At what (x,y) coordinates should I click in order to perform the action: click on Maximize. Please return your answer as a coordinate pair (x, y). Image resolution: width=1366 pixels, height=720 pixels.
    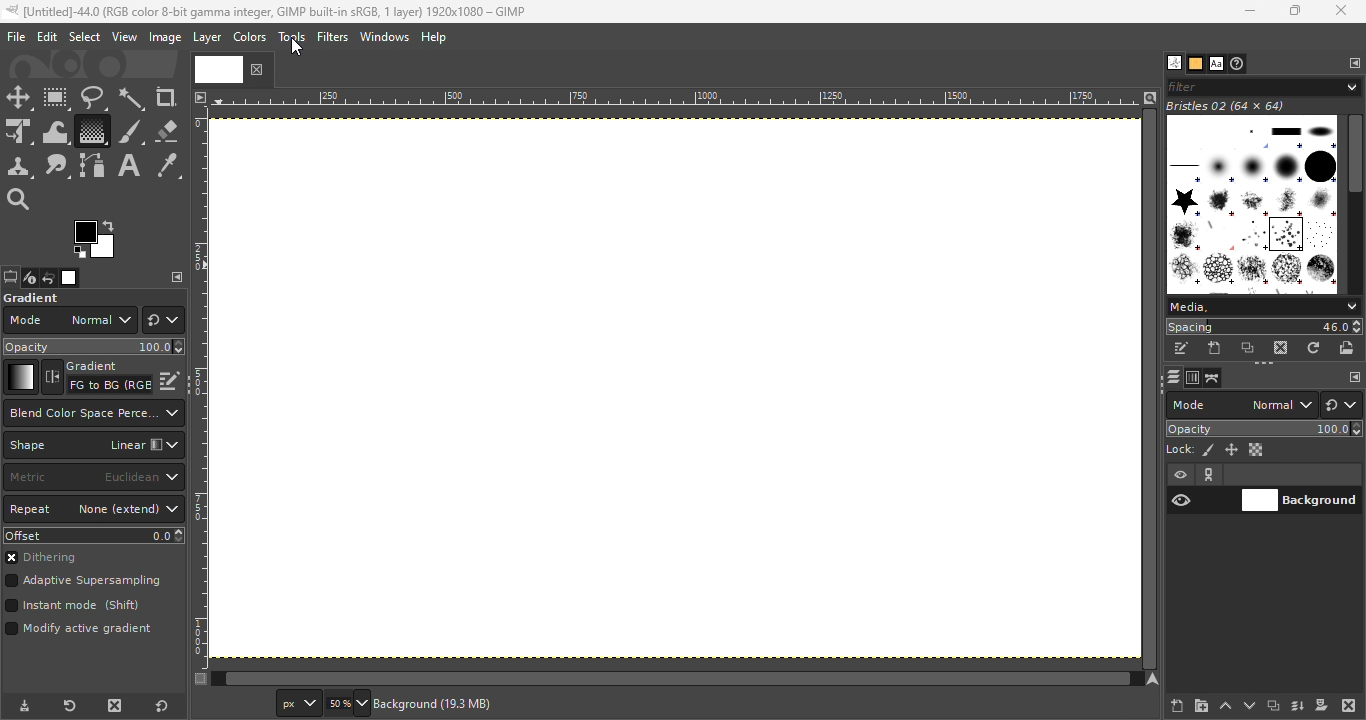
    Looking at the image, I should click on (1300, 11).